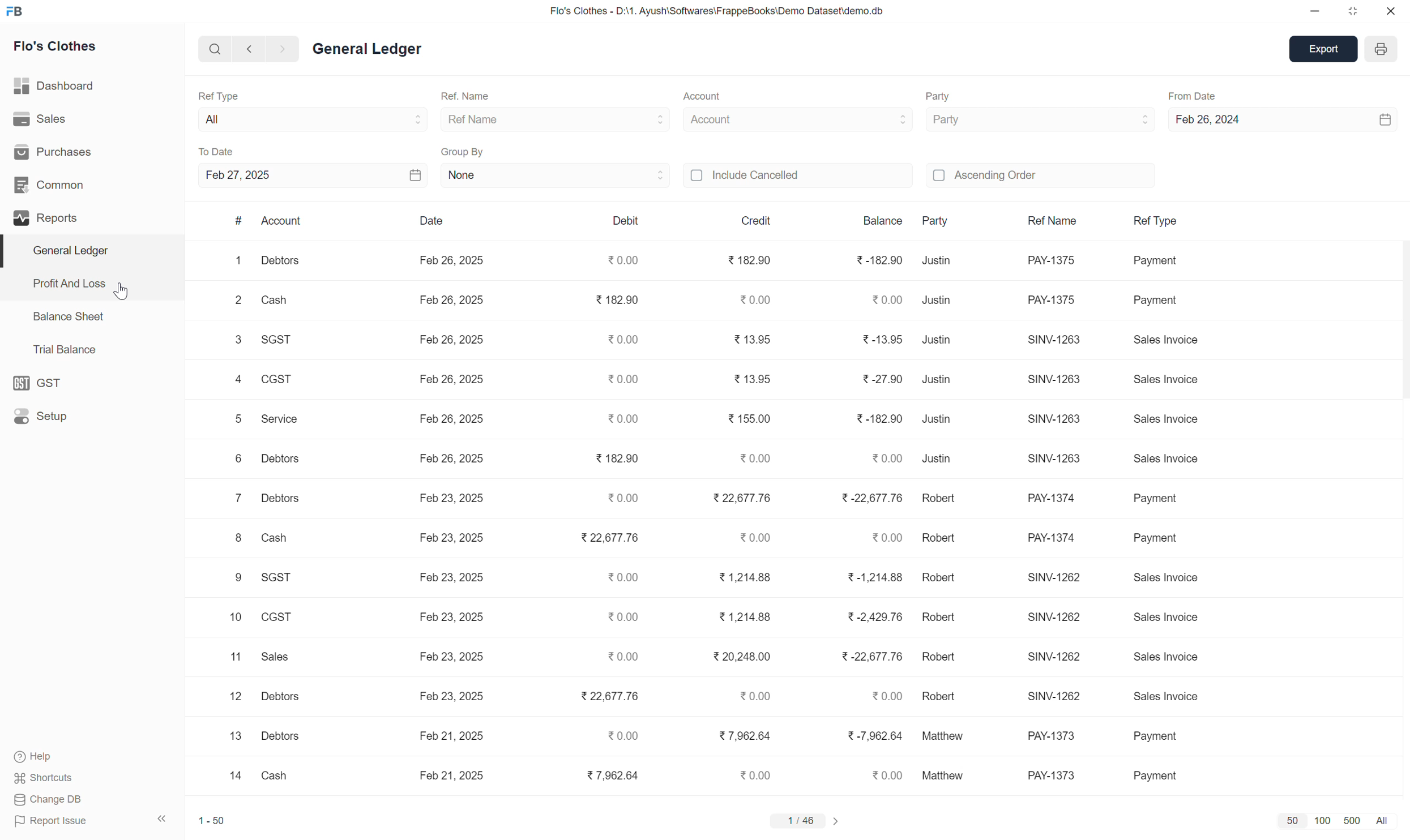  What do you see at coordinates (236, 499) in the screenshot?
I see `7` at bounding box center [236, 499].